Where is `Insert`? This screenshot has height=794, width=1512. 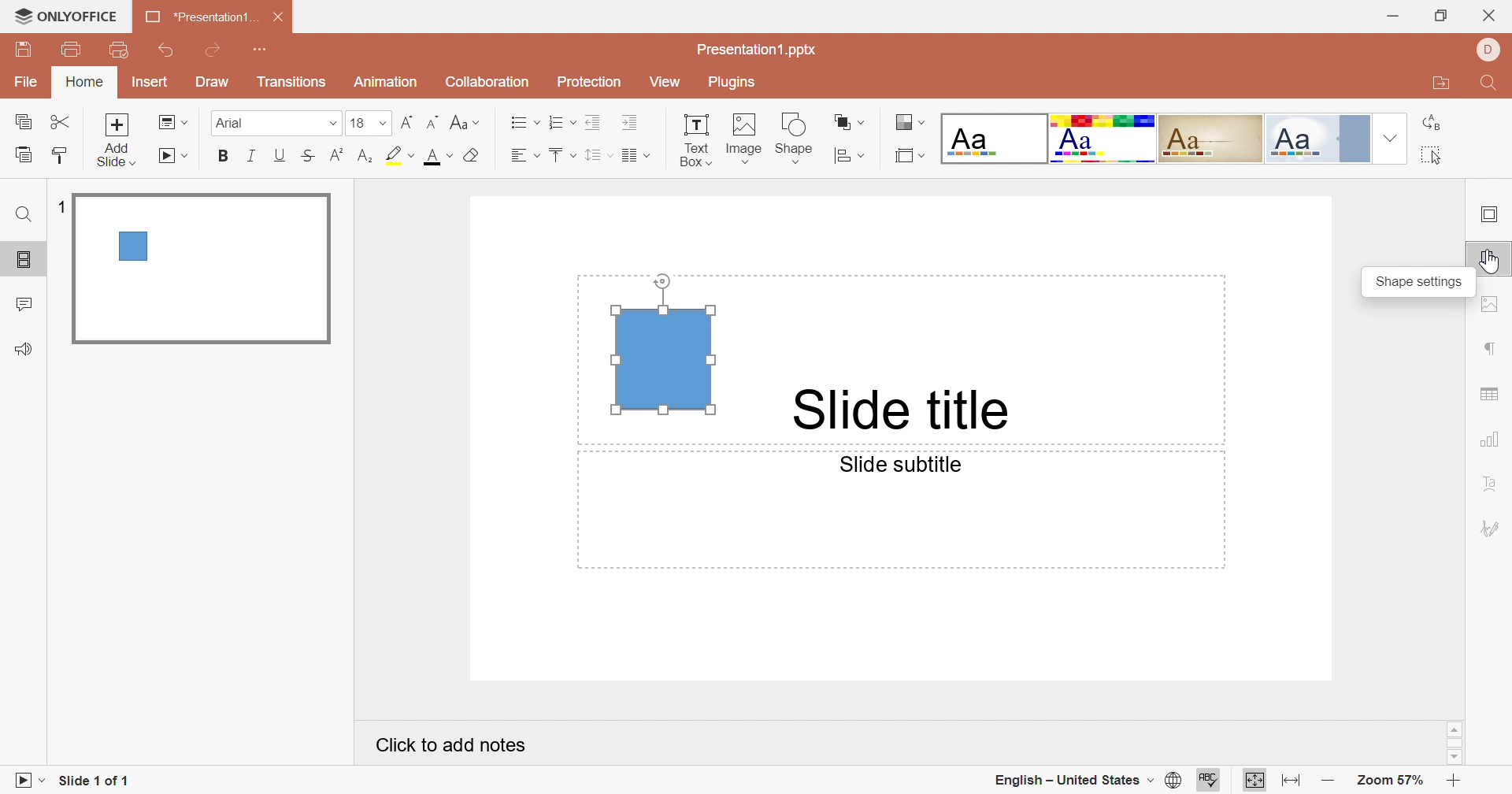
Insert is located at coordinates (149, 83).